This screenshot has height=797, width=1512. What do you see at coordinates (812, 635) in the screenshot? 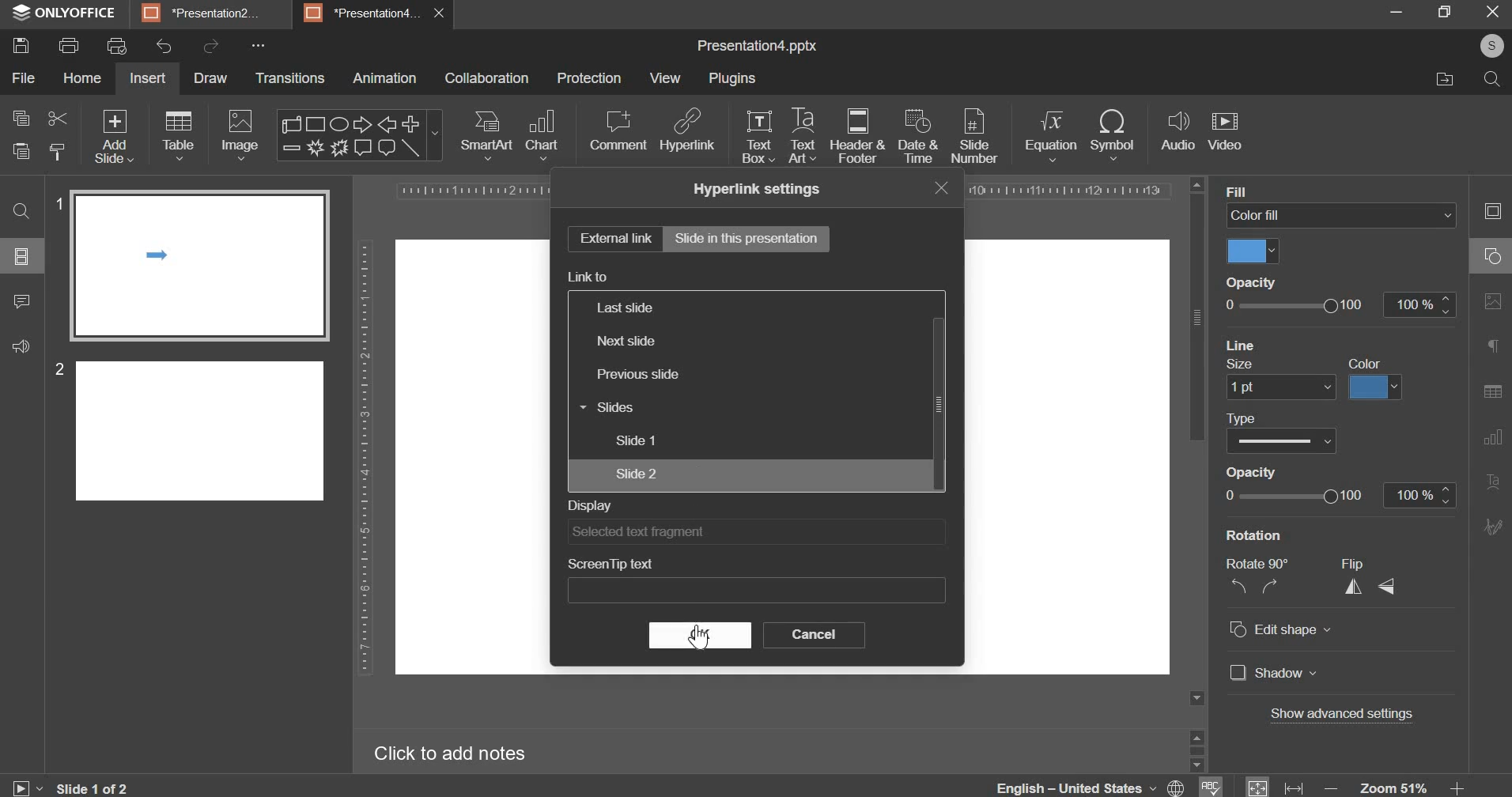
I see `cancel` at bounding box center [812, 635].